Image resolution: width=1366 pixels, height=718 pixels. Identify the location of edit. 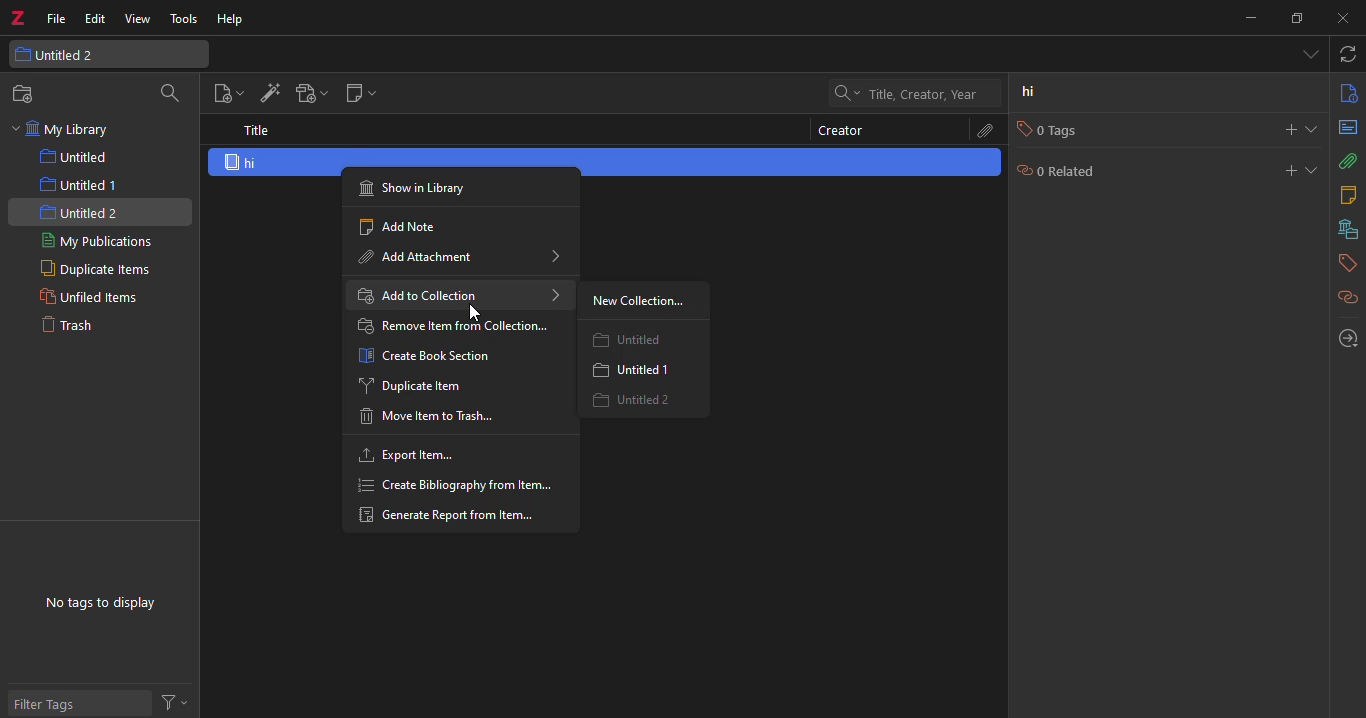
(94, 19).